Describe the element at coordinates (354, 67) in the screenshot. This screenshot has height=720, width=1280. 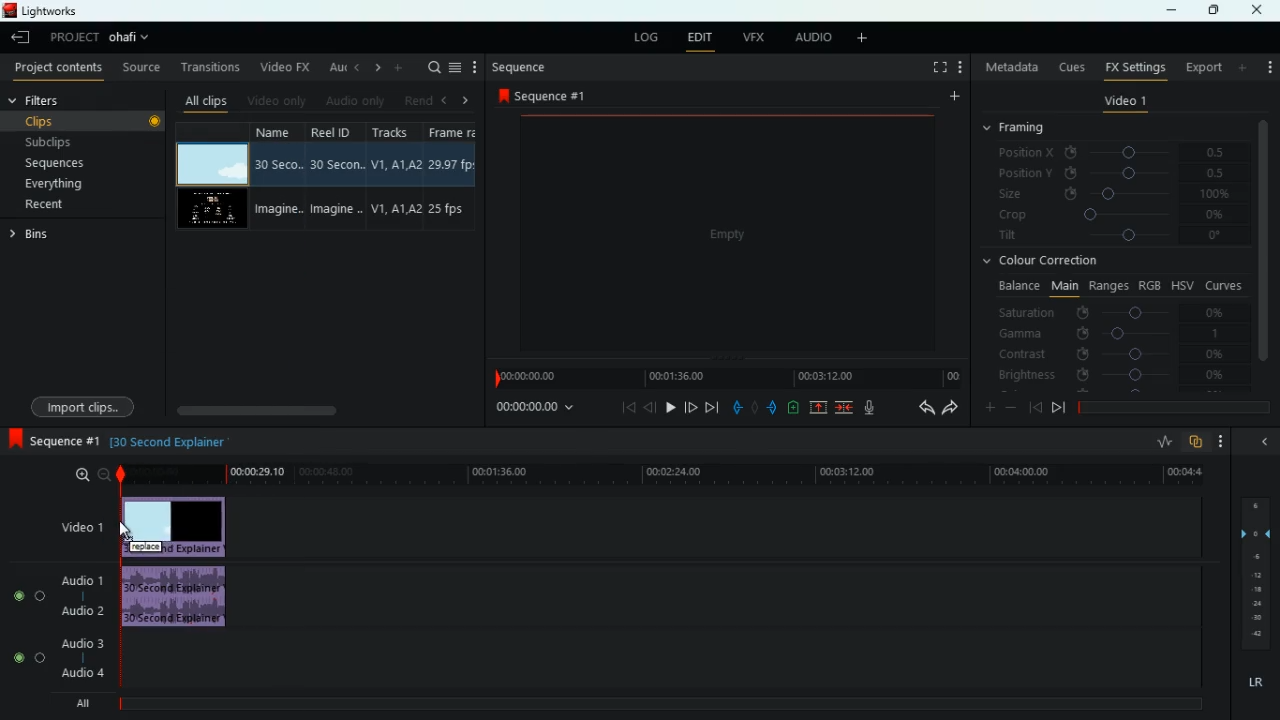
I see `left` at that location.